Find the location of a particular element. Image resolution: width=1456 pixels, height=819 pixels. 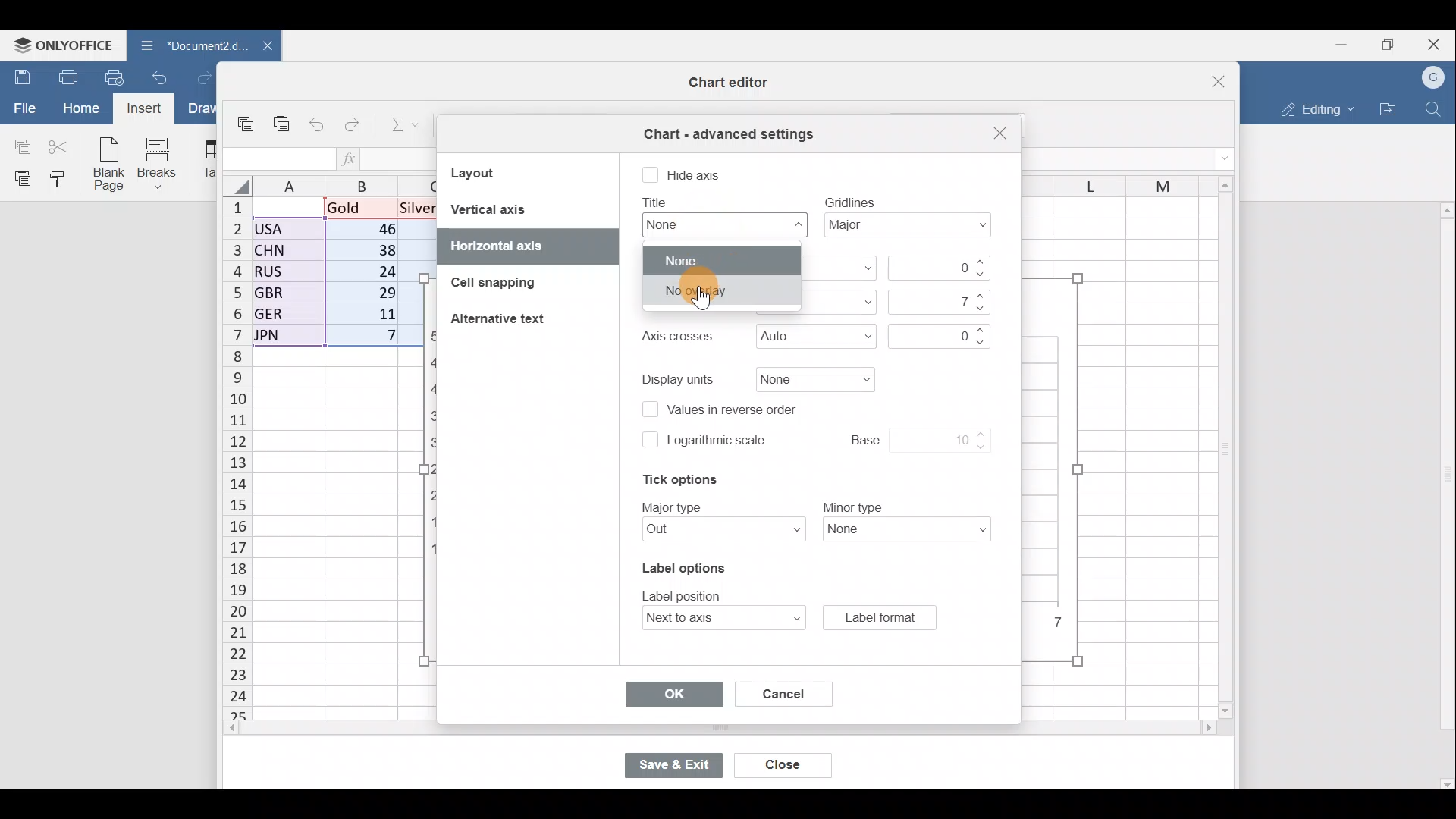

text is located at coordinates (686, 594).